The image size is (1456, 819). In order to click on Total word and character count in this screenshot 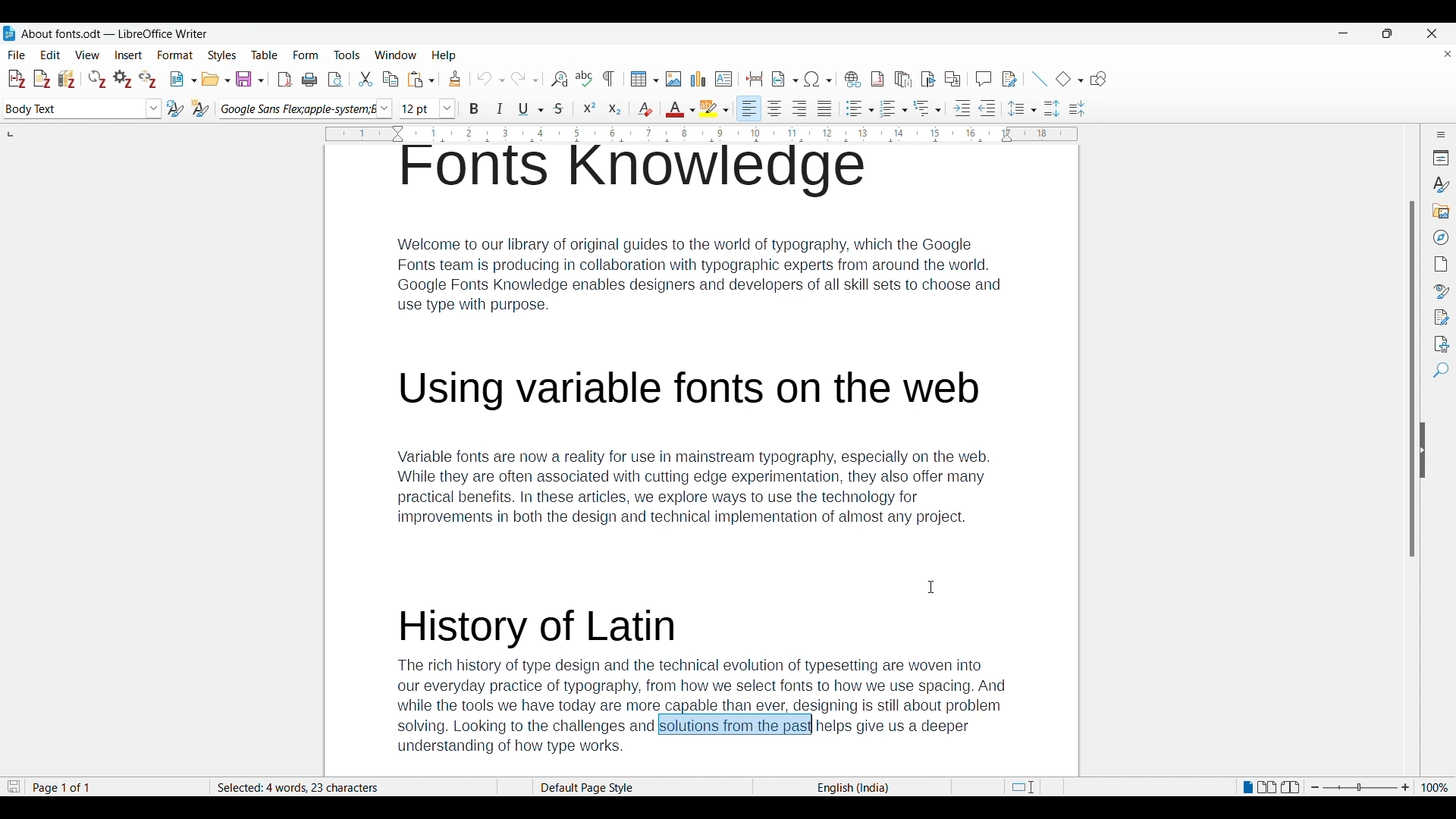, I will do `click(353, 788)`.